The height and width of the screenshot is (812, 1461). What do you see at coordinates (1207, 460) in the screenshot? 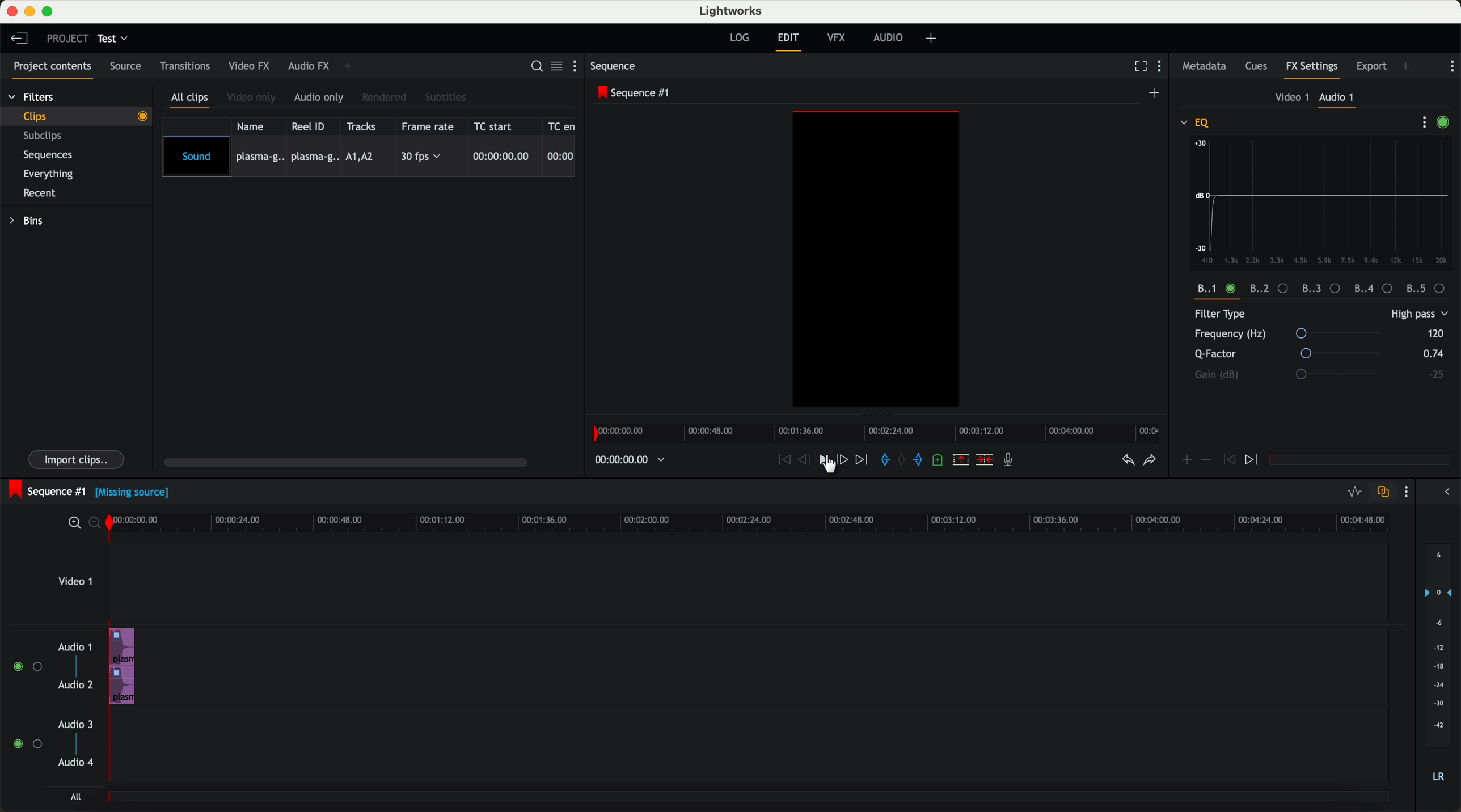
I see `remove keyframe` at bounding box center [1207, 460].